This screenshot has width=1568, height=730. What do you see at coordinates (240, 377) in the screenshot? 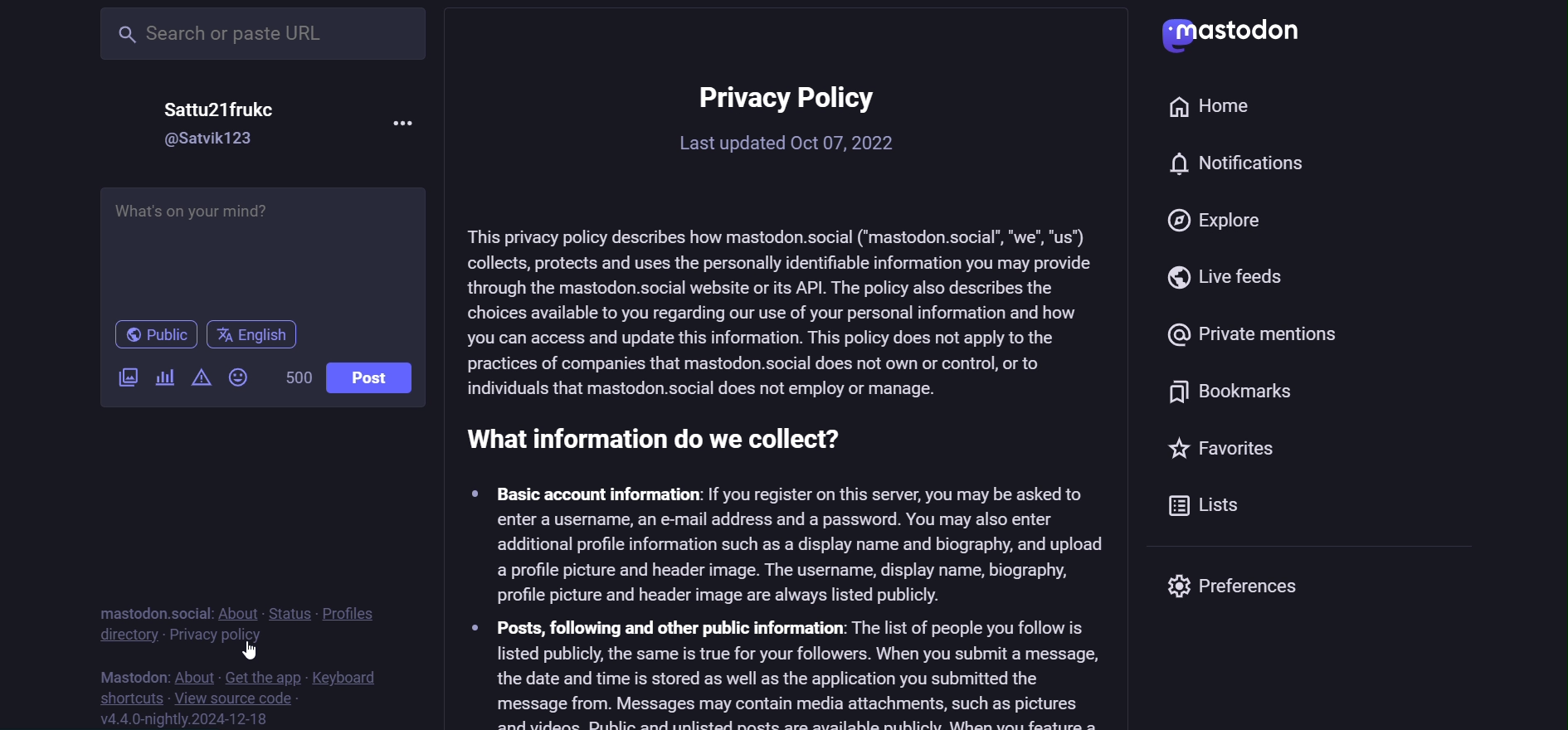
I see `emoji` at bounding box center [240, 377].